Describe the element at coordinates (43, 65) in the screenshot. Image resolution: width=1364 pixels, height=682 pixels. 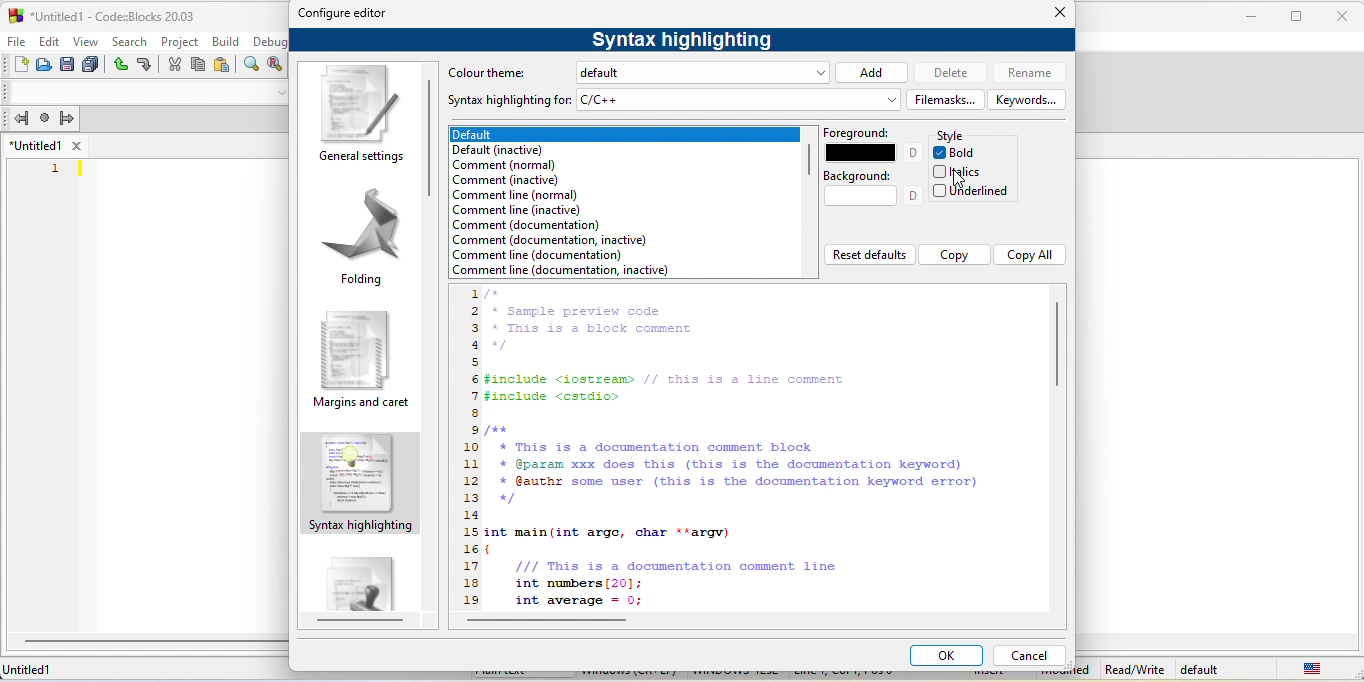
I see `open` at that location.